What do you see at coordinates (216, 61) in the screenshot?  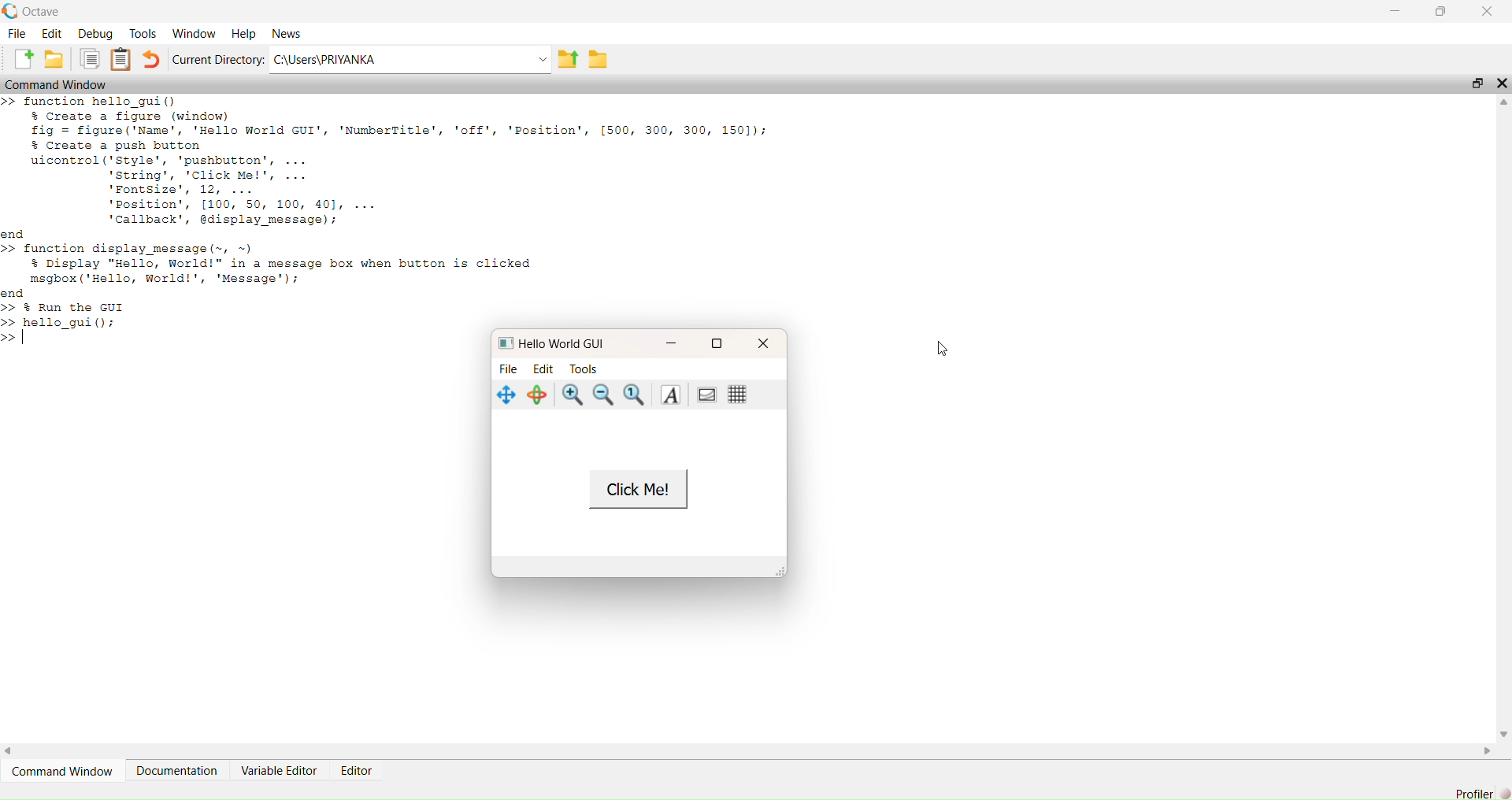 I see `‘Current Directory:` at bounding box center [216, 61].